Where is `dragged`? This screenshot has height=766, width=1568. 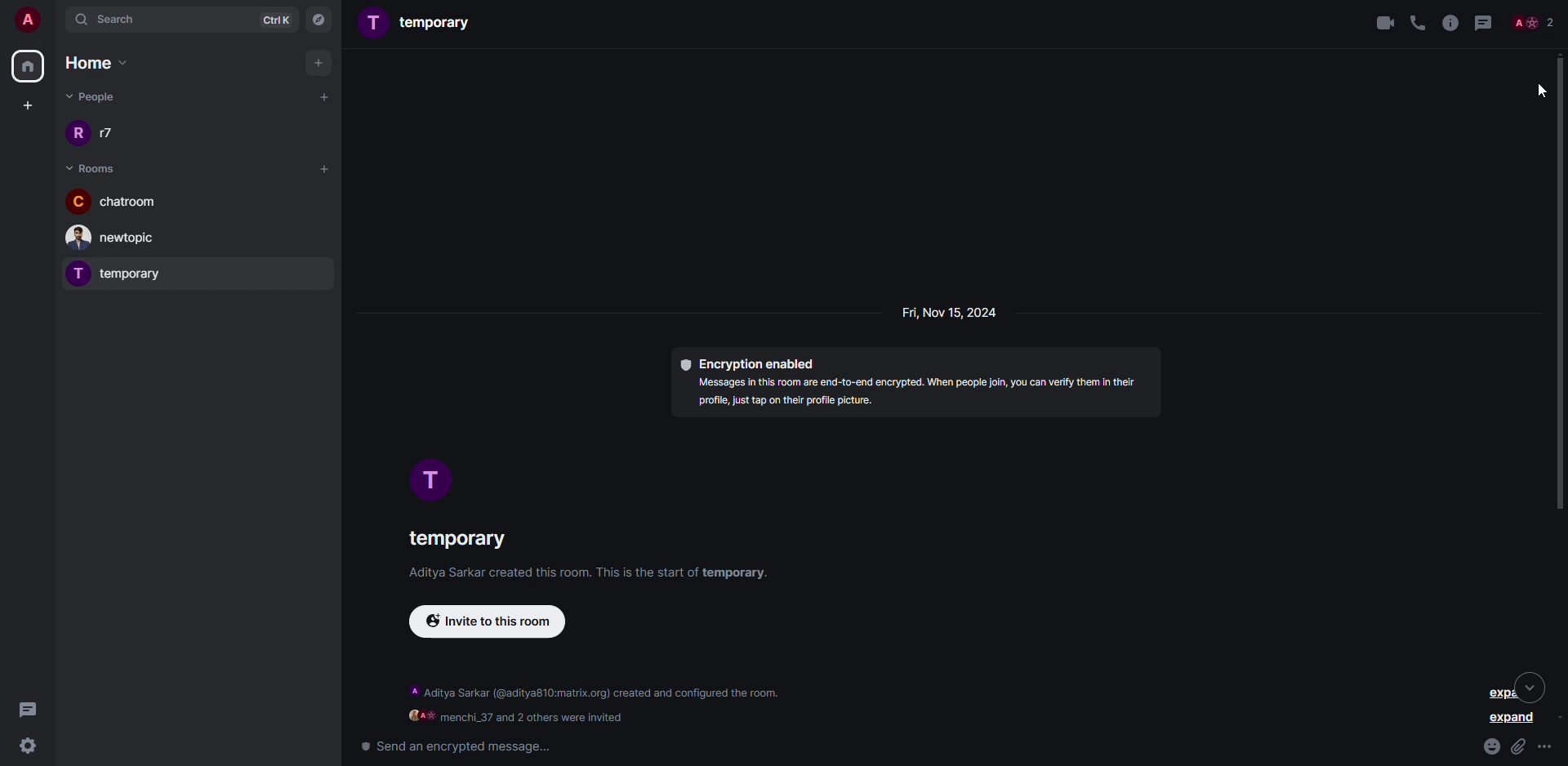
dragged is located at coordinates (1561, 284).